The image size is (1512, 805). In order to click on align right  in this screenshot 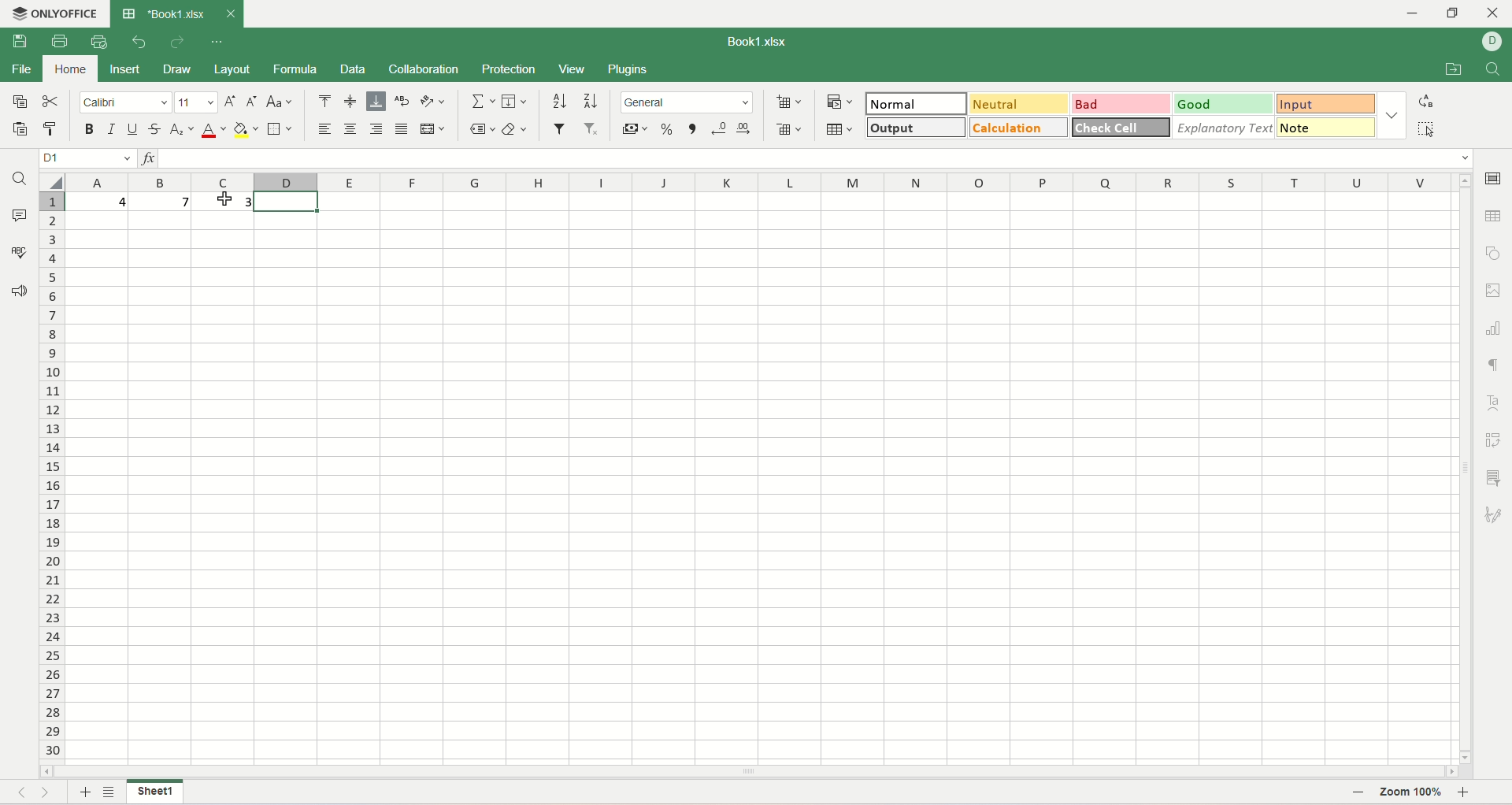, I will do `click(376, 129)`.